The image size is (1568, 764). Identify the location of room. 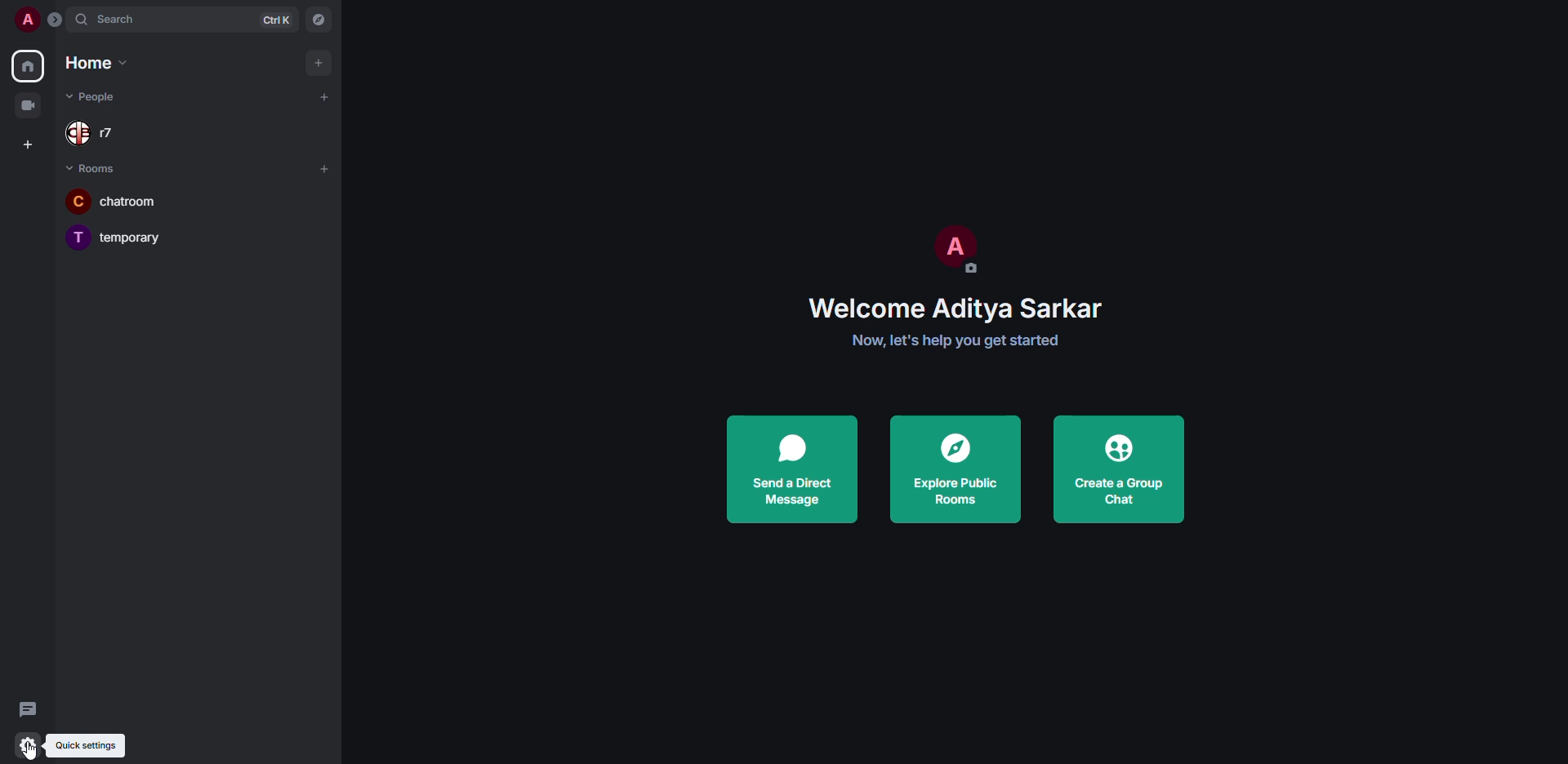
(125, 198).